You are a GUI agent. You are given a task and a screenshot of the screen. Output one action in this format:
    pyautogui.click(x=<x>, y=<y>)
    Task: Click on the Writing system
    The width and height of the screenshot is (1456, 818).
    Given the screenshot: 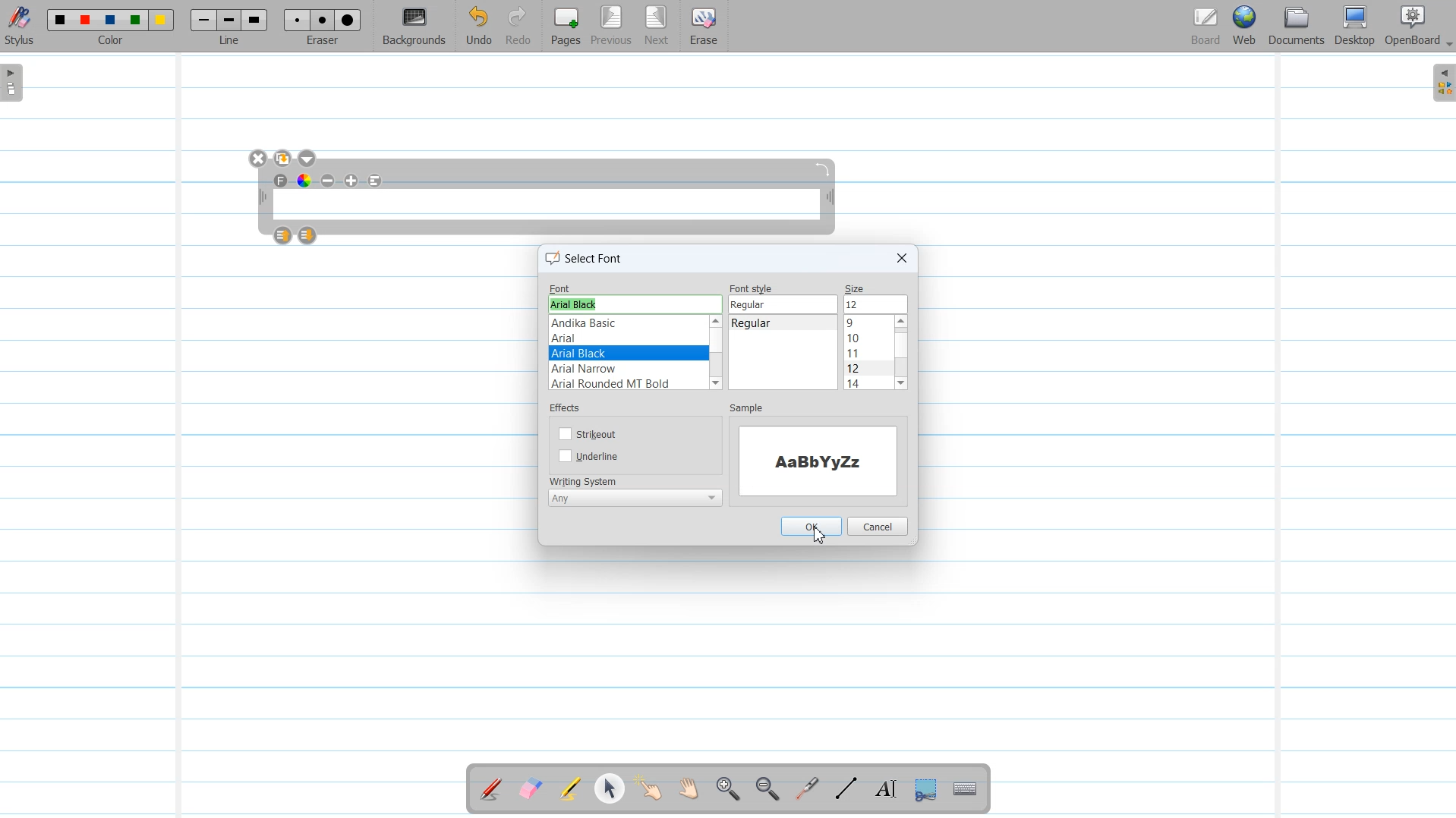 What is the action you would take?
    pyautogui.click(x=633, y=500)
    